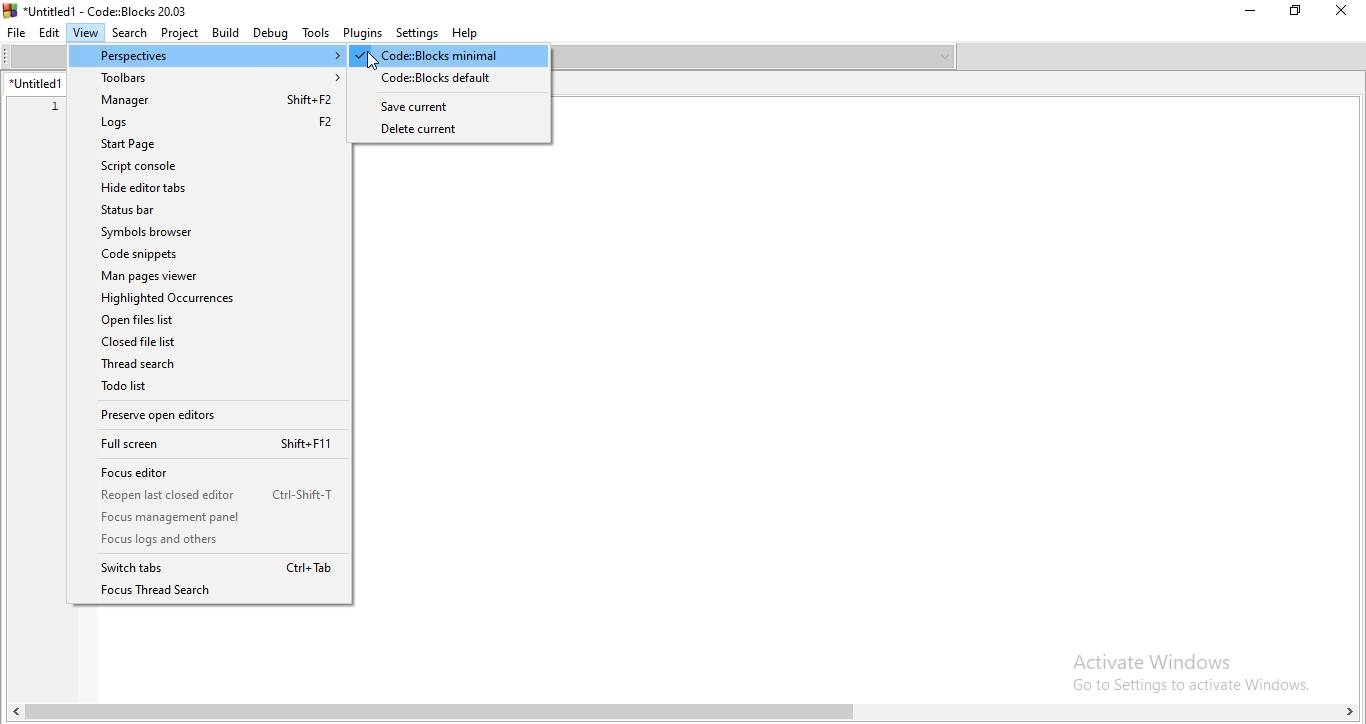  I want to click on focus management panel, so click(210, 520).